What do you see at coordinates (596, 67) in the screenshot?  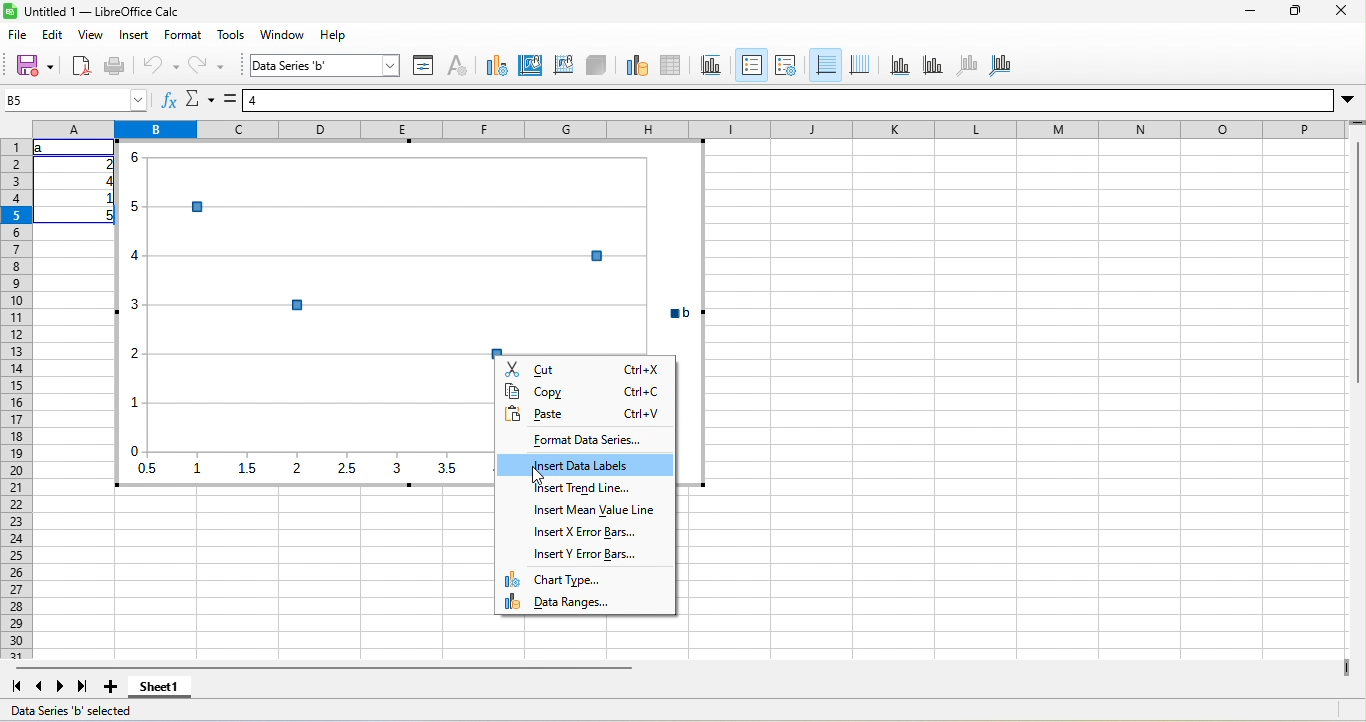 I see `3d view` at bounding box center [596, 67].